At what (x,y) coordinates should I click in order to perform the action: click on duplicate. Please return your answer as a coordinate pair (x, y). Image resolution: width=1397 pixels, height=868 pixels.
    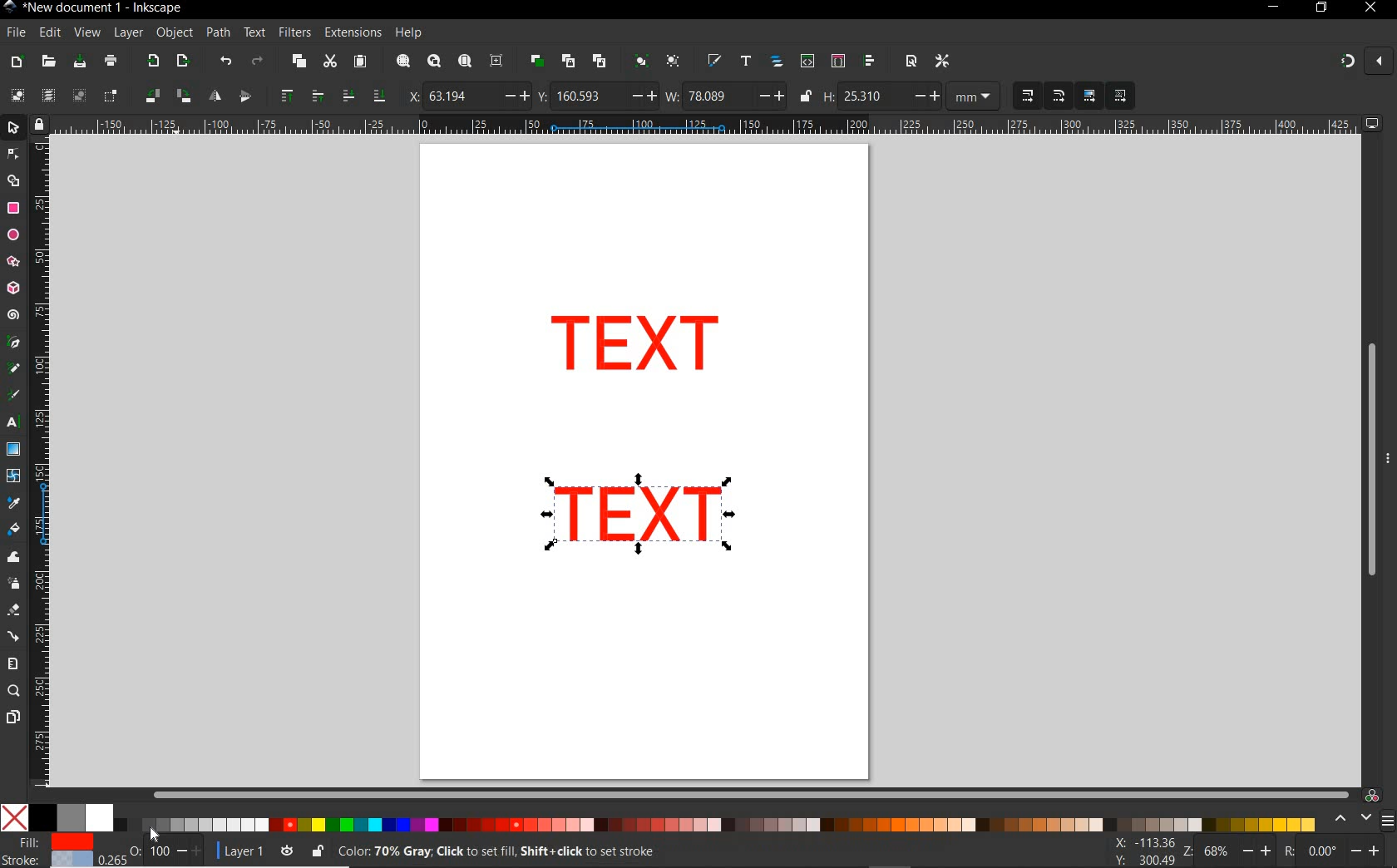
    Looking at the image, I should click on (537, 61).